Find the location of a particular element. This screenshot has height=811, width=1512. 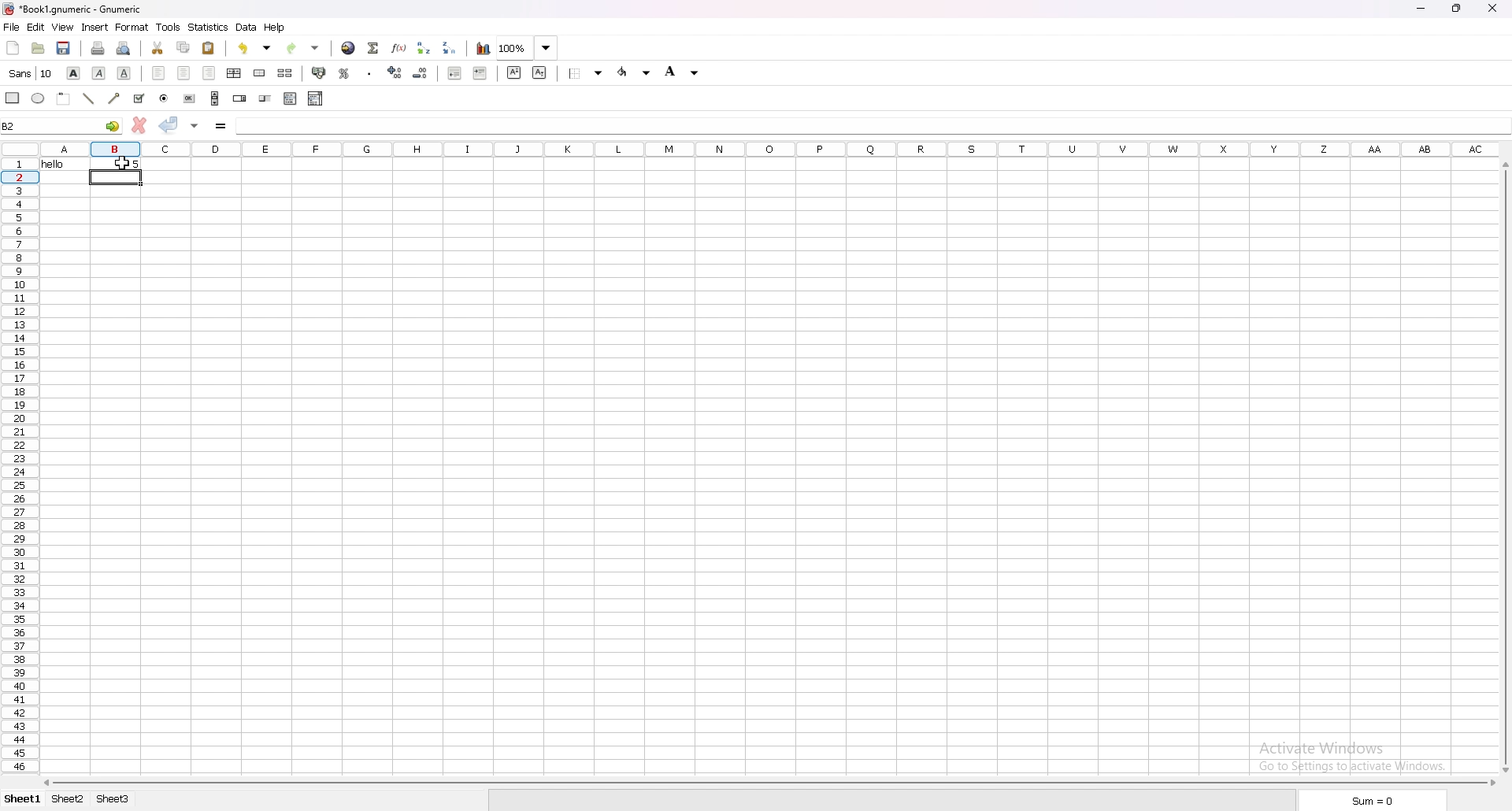

accept change is located at coordinates (170, 125).